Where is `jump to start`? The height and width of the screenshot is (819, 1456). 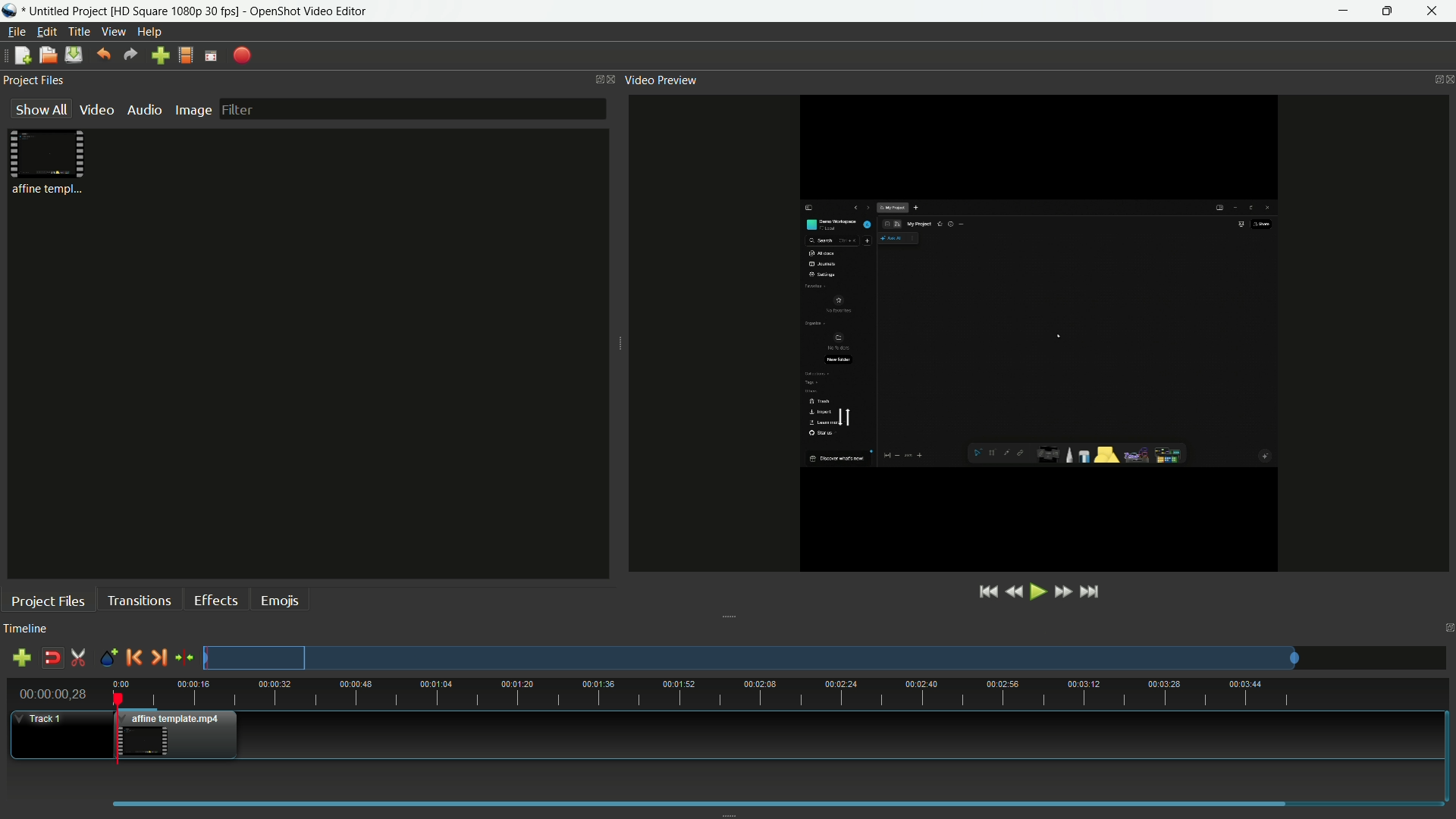
jump to start is located at coordinates (987, 592).